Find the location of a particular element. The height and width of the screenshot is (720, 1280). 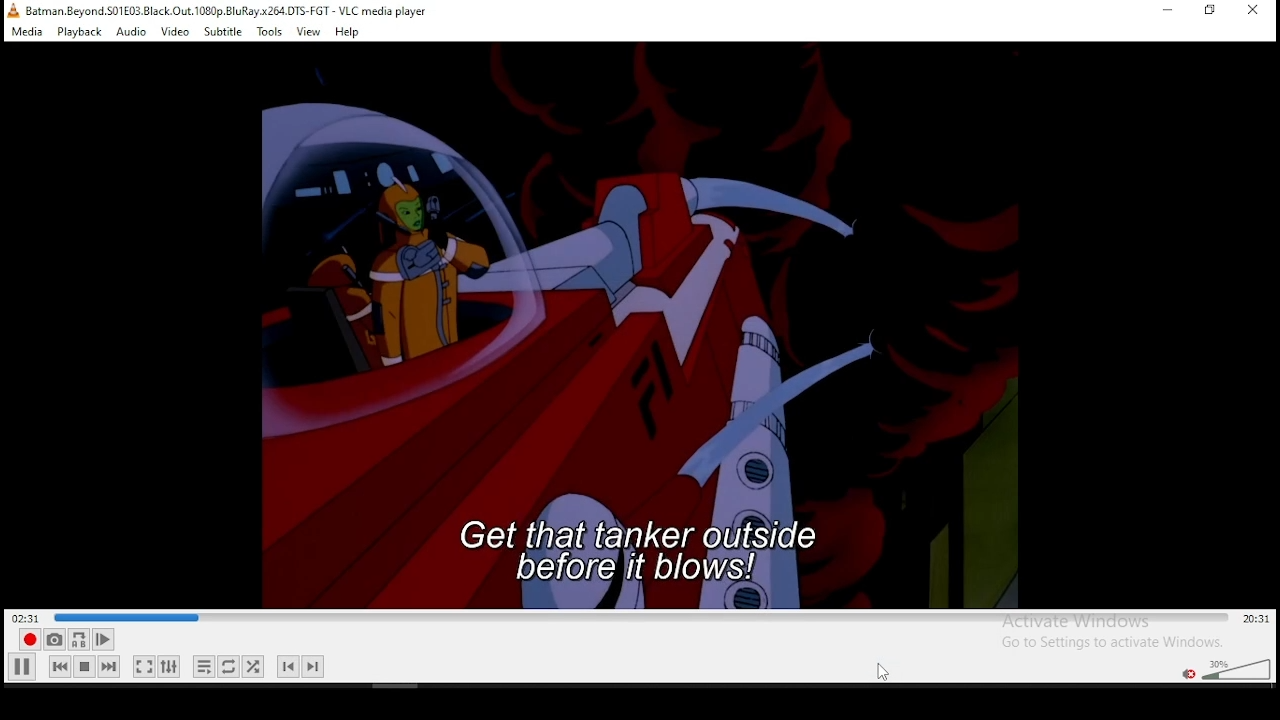

video is located at coordinates (175, 33).